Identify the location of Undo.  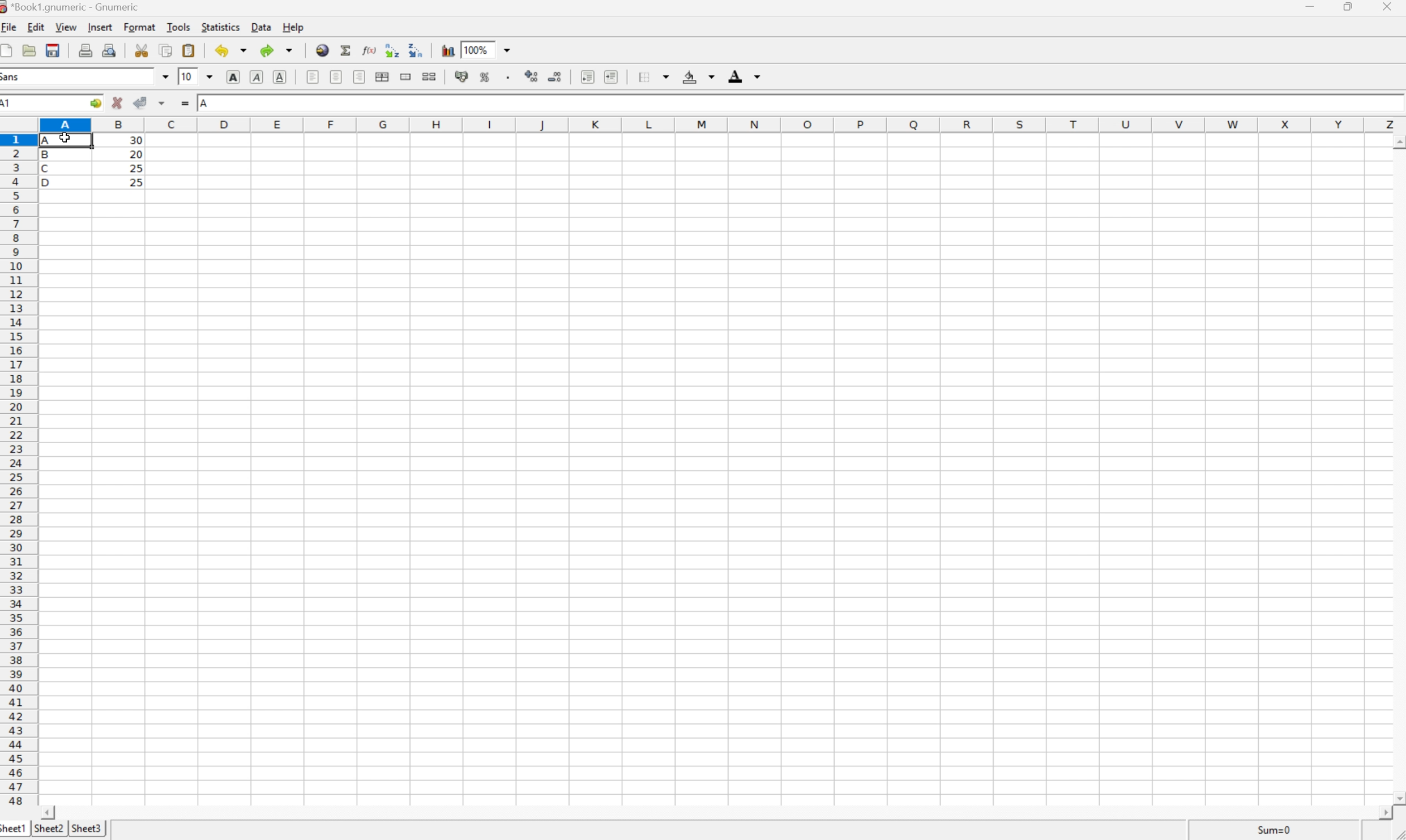
(230, 50).